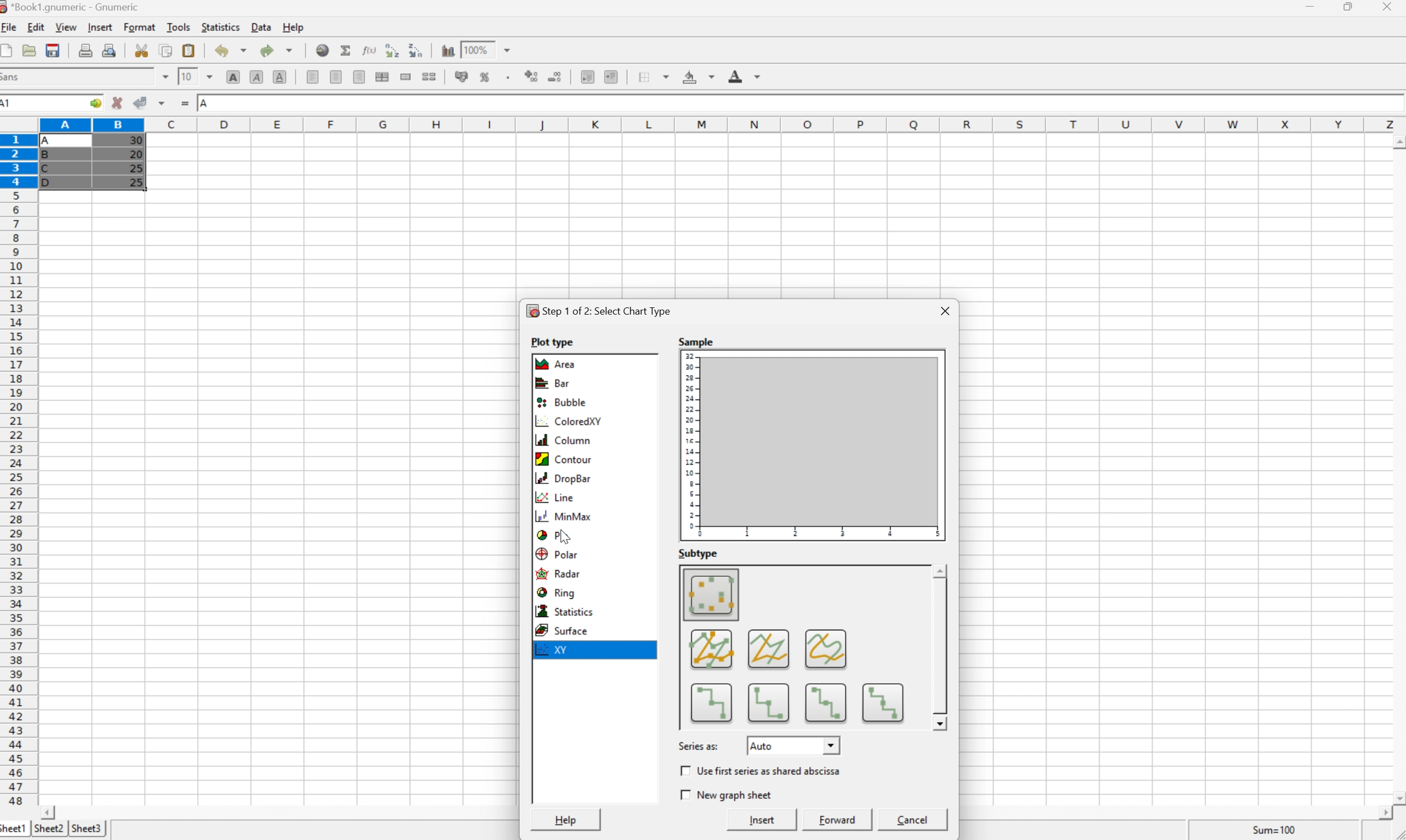 This screenshot has height=840, width=1406. I want to click on Decrease indent, and align the contents to the left, so click(587, 78).